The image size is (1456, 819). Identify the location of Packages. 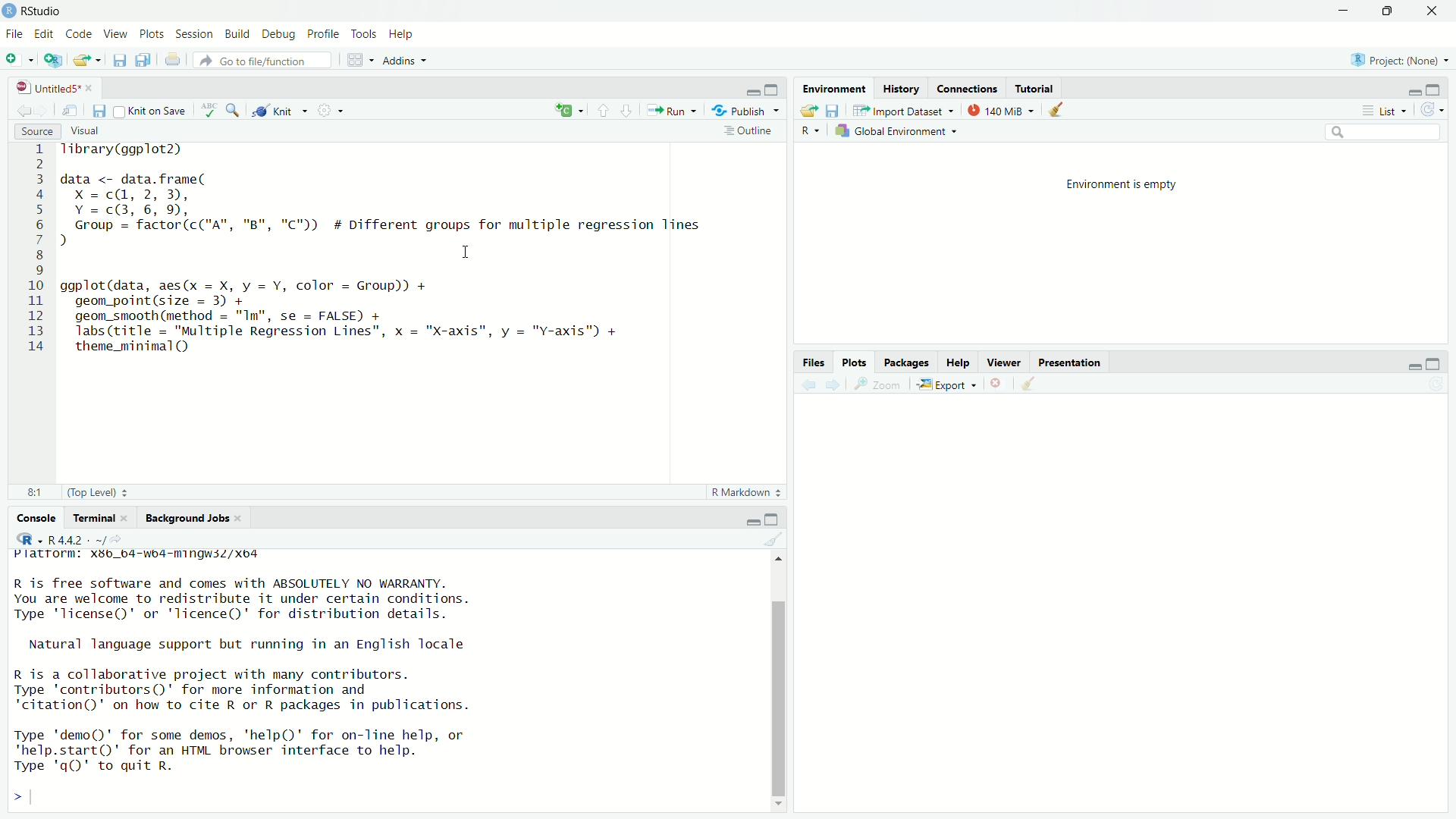
(908, 362).